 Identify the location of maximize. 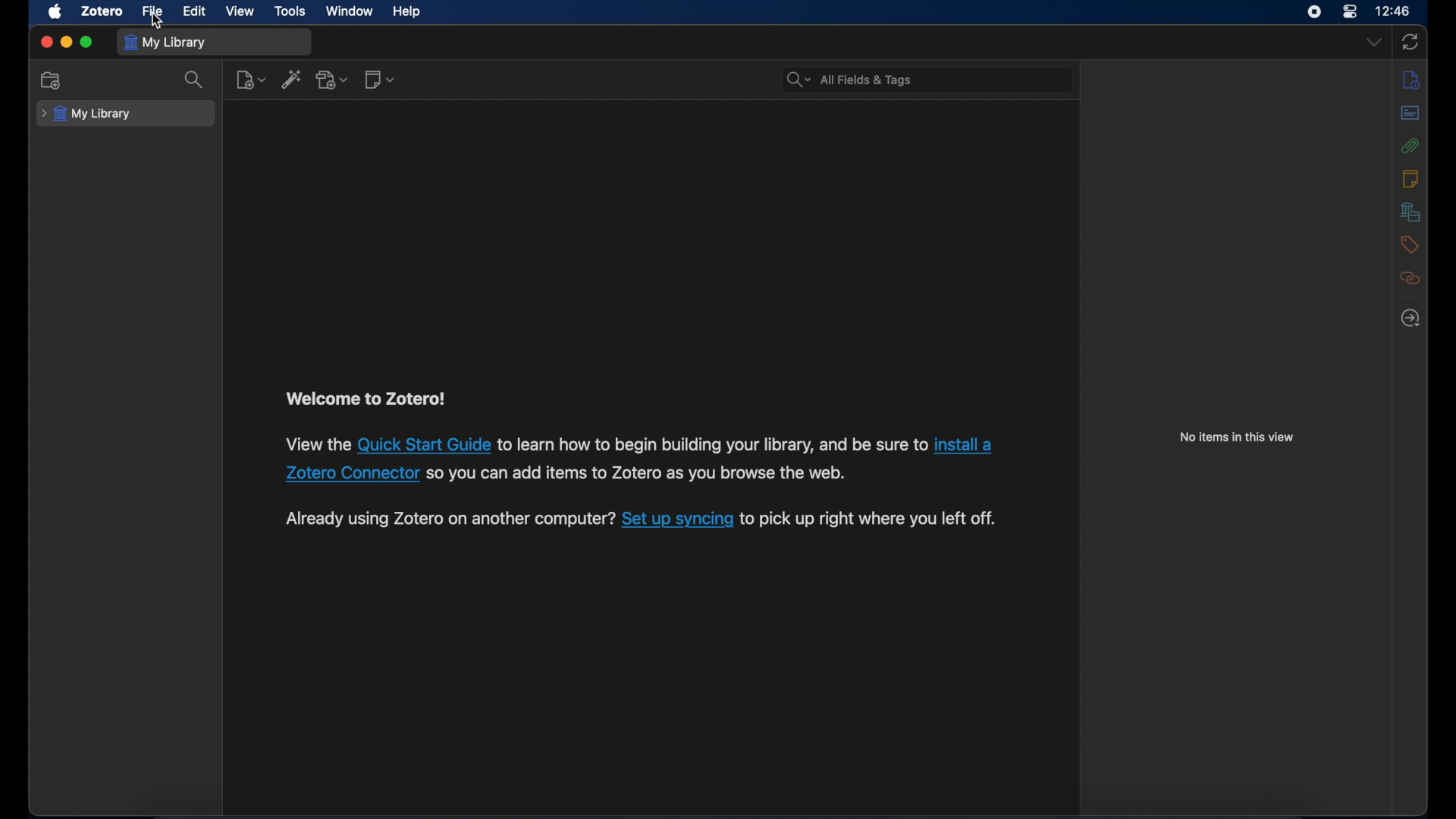
(86, 42).